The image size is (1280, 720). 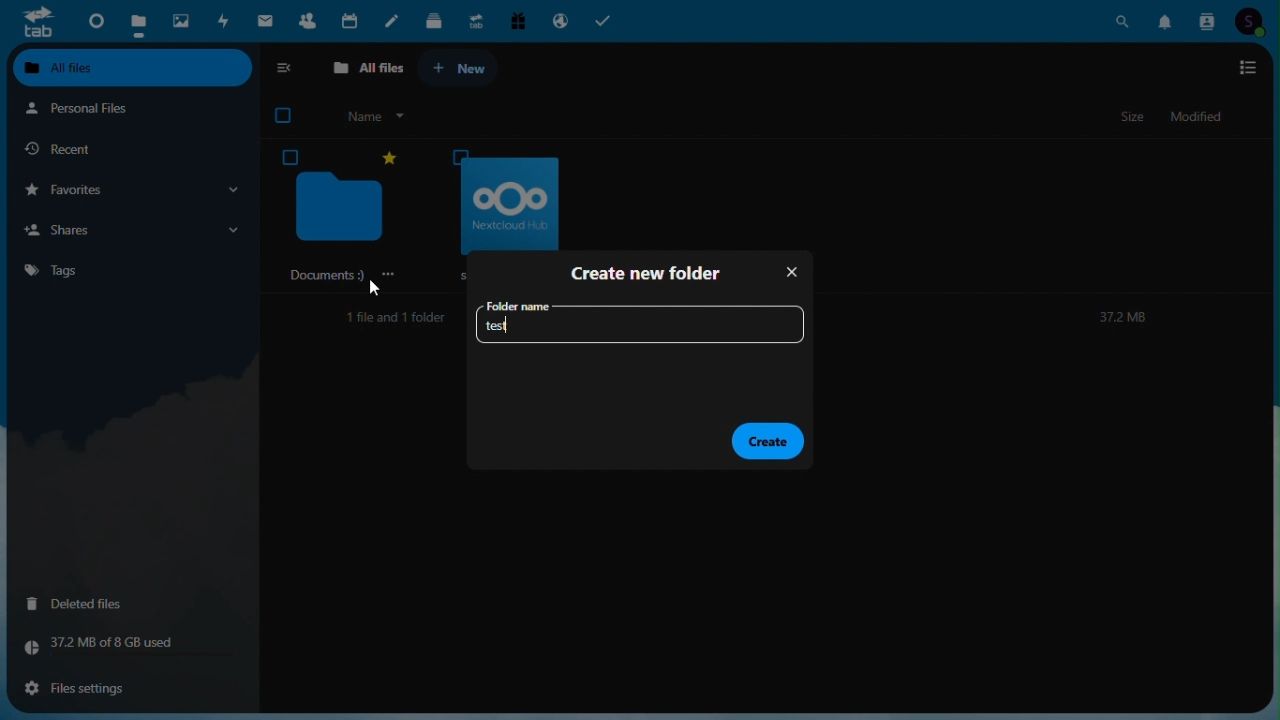 I want to click on oOo, so click(x=496, y=207).